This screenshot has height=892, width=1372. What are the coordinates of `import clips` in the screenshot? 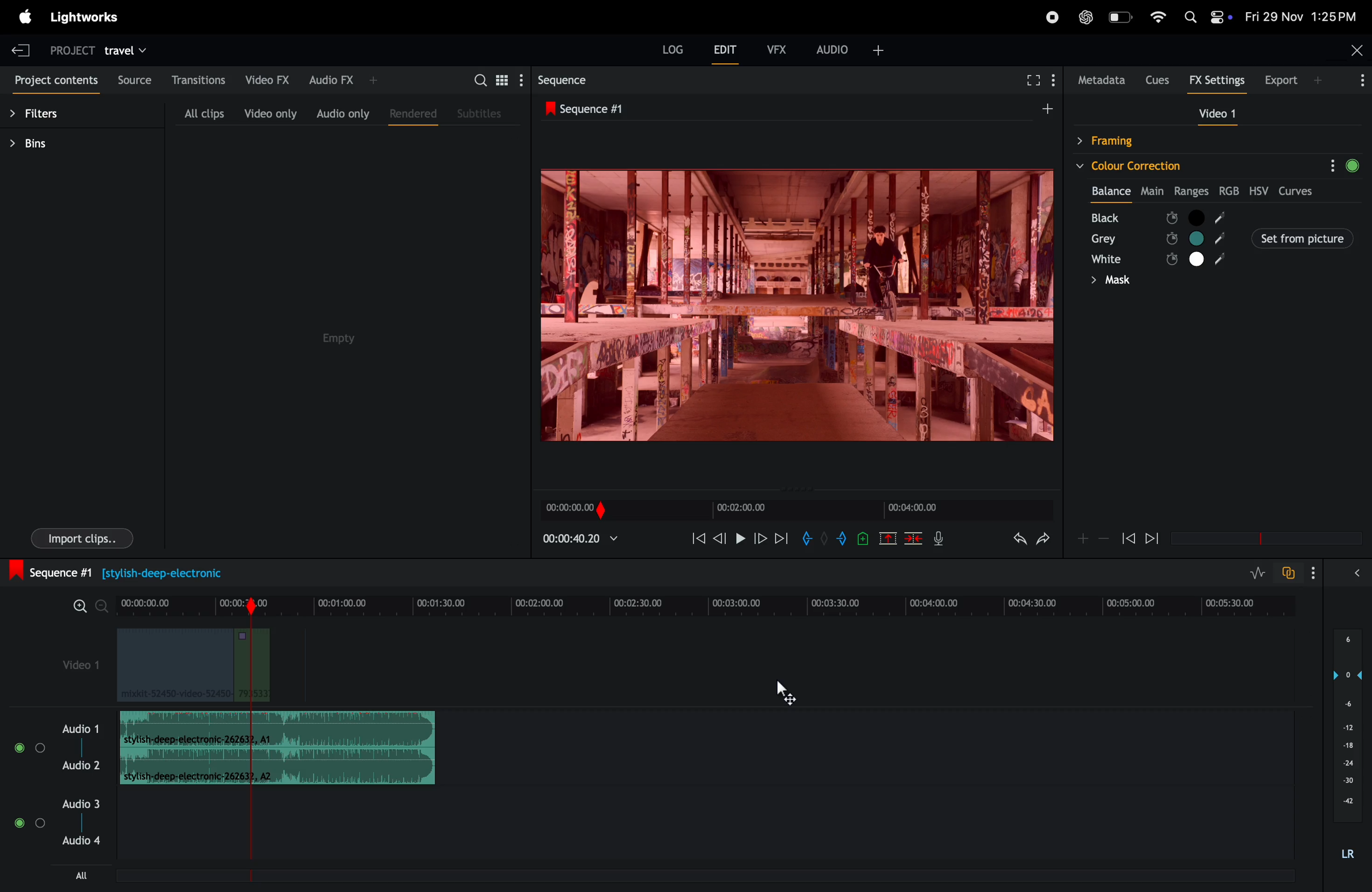 It's located at (82, 538).